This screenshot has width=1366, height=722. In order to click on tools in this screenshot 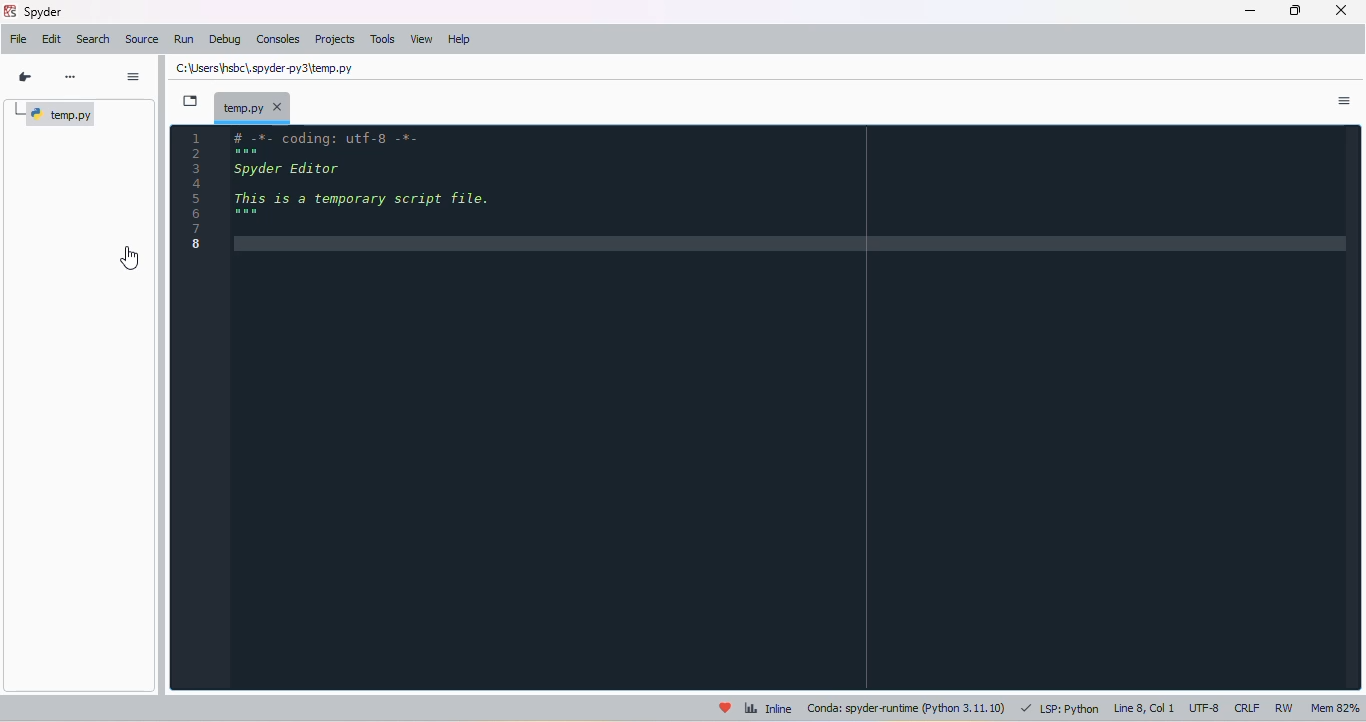, I will do `click(383, 39)`.